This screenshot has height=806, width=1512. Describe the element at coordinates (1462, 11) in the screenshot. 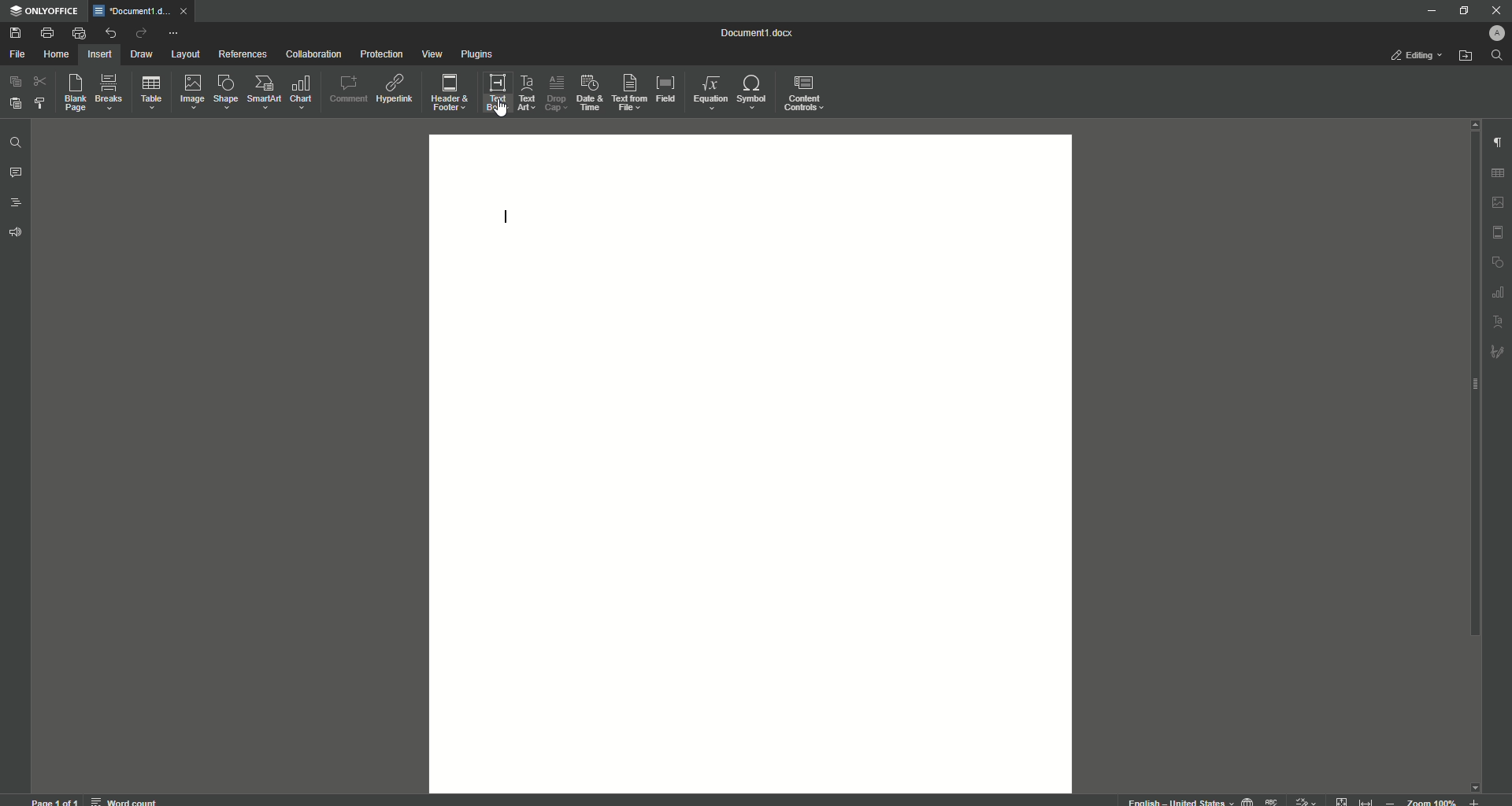

I see `Restore` at that location.